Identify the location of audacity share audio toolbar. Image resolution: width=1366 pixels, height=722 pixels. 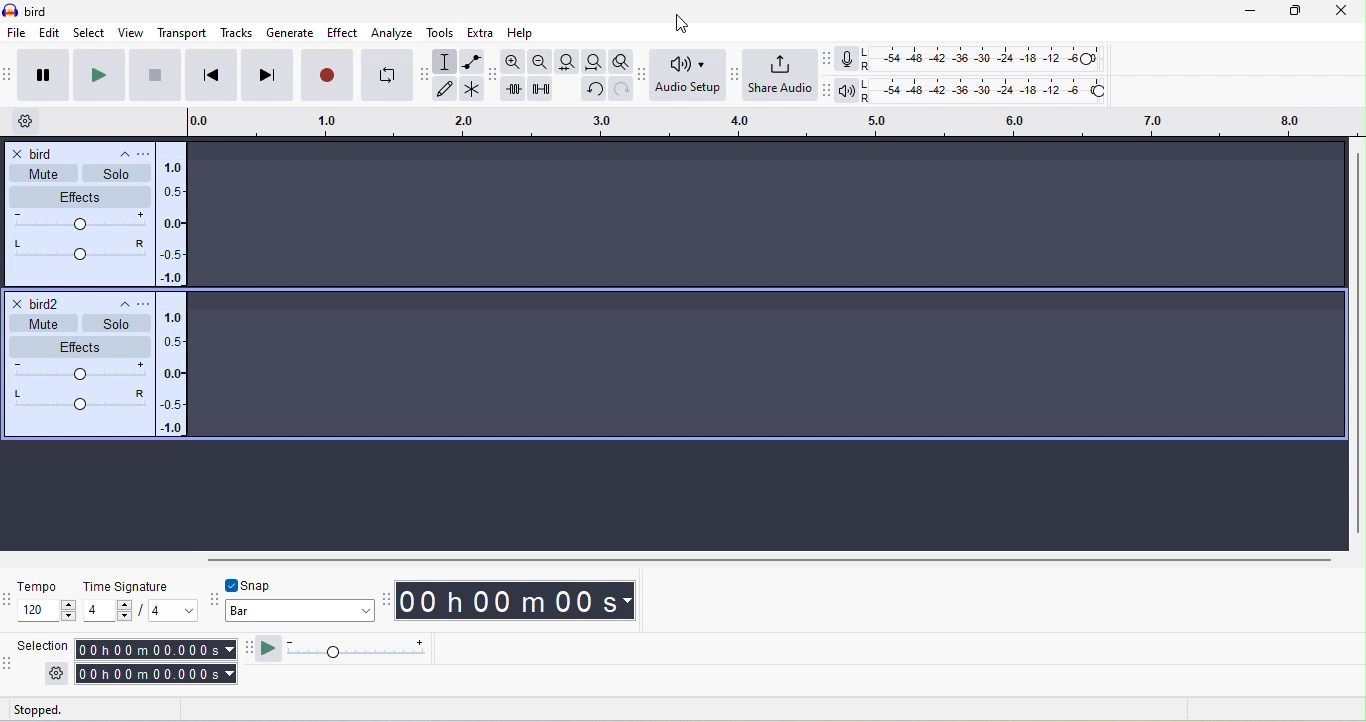
(739, 73).